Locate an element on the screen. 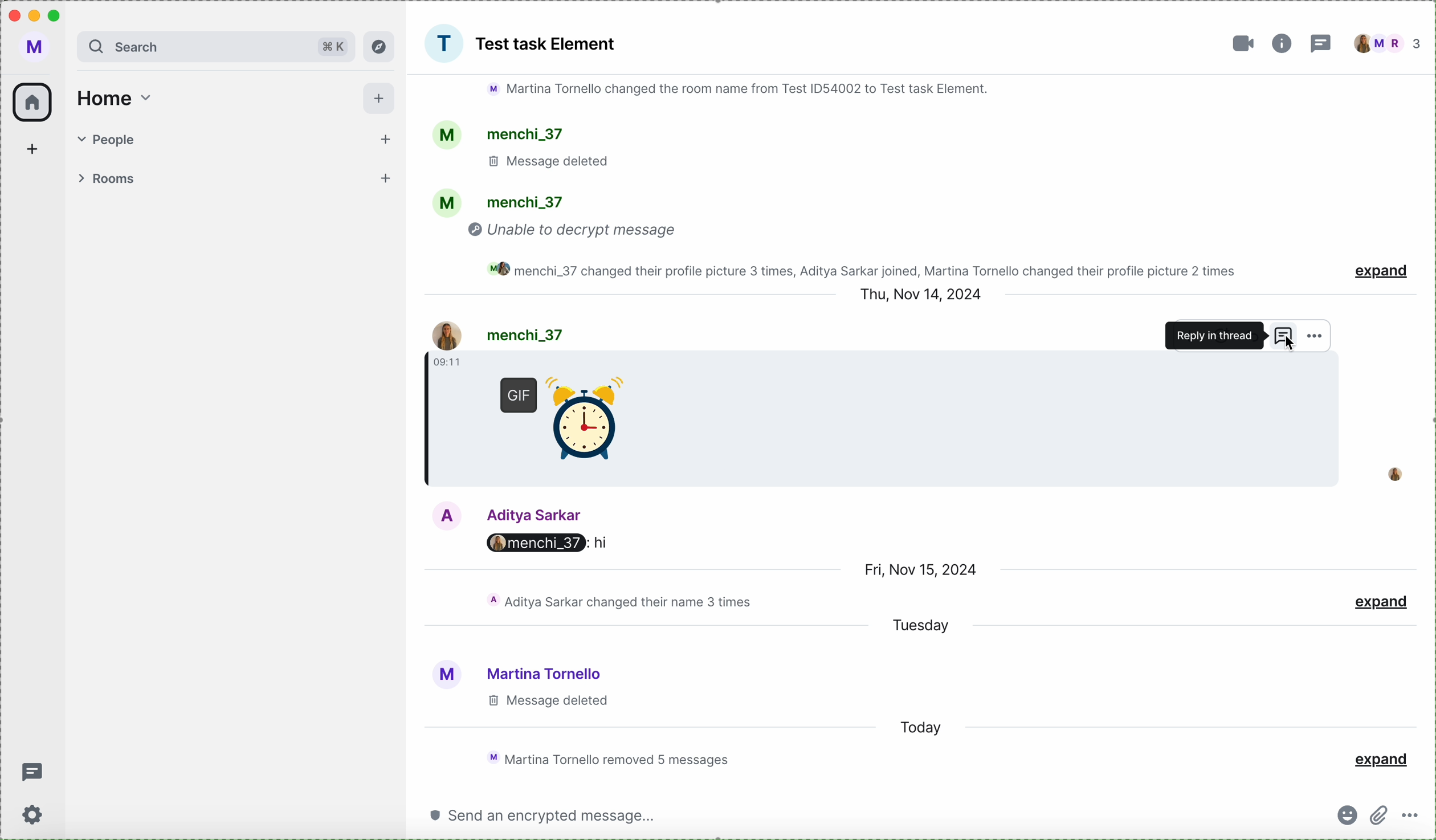  people is located at coordinates (239, 137).